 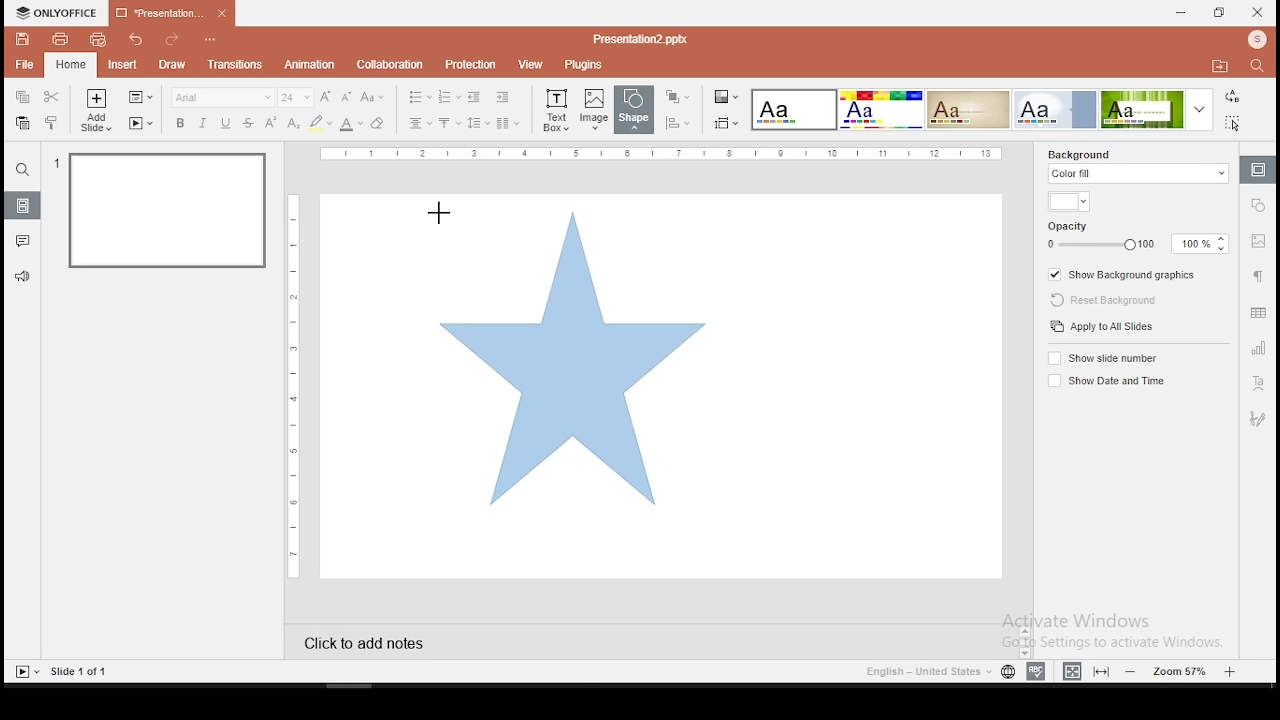 I want to click on superscript, so click(x=269, y=121).